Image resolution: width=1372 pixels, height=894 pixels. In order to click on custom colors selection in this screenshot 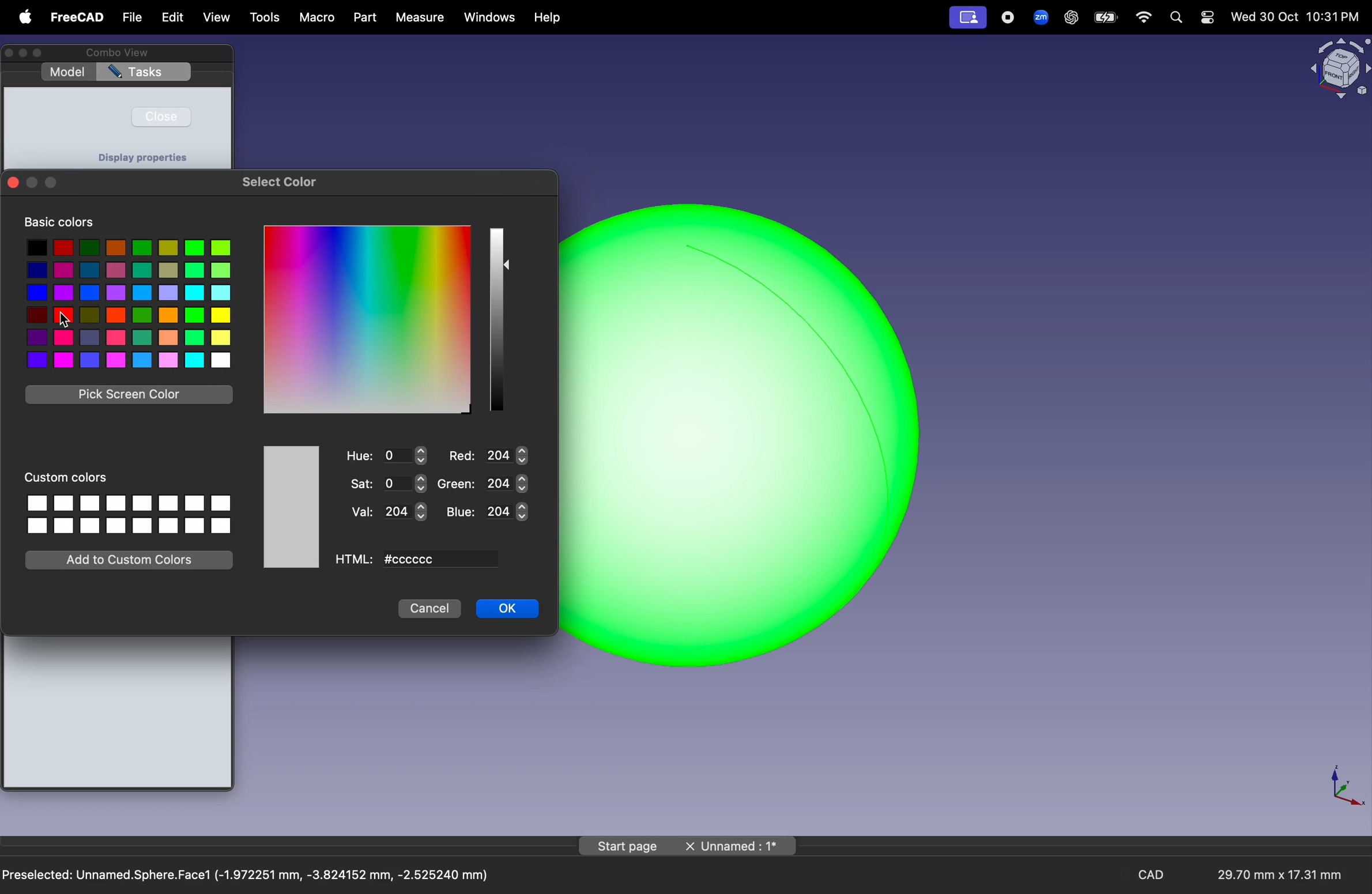, I will do `click(127, 512)`.